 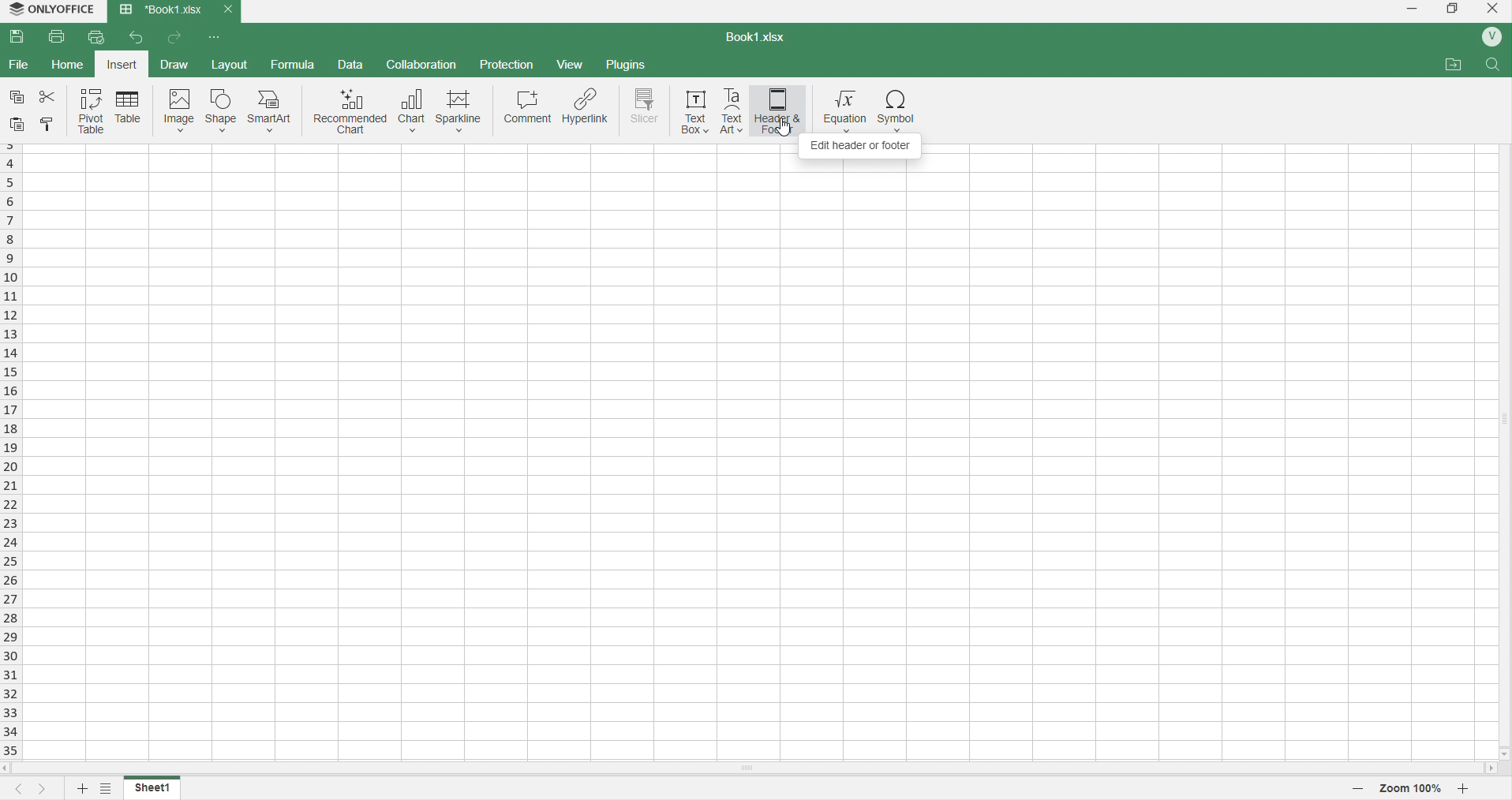 I want to click on chart, so click(x=411, y=112).